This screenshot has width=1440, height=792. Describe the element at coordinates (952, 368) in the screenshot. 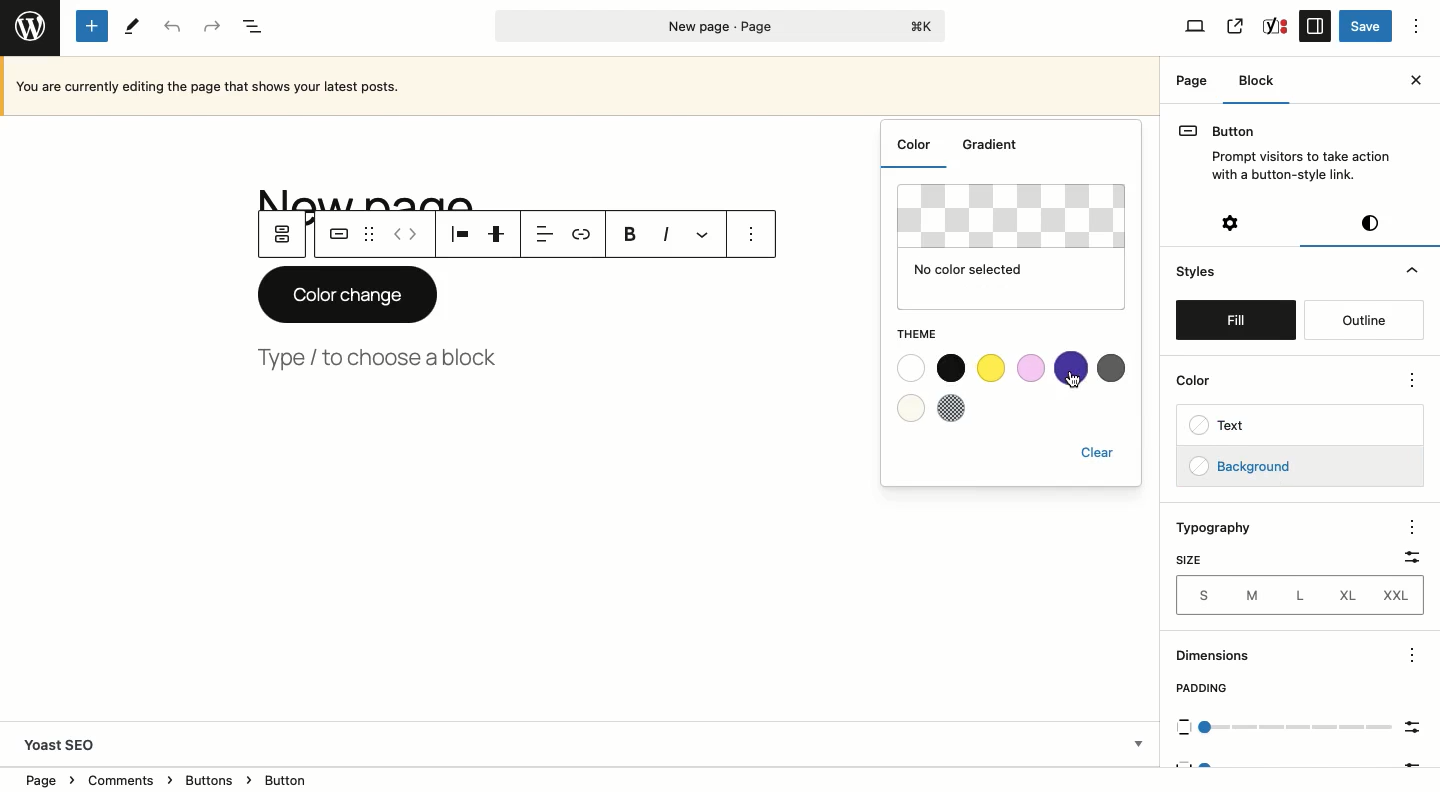

I see `Black` at that location.